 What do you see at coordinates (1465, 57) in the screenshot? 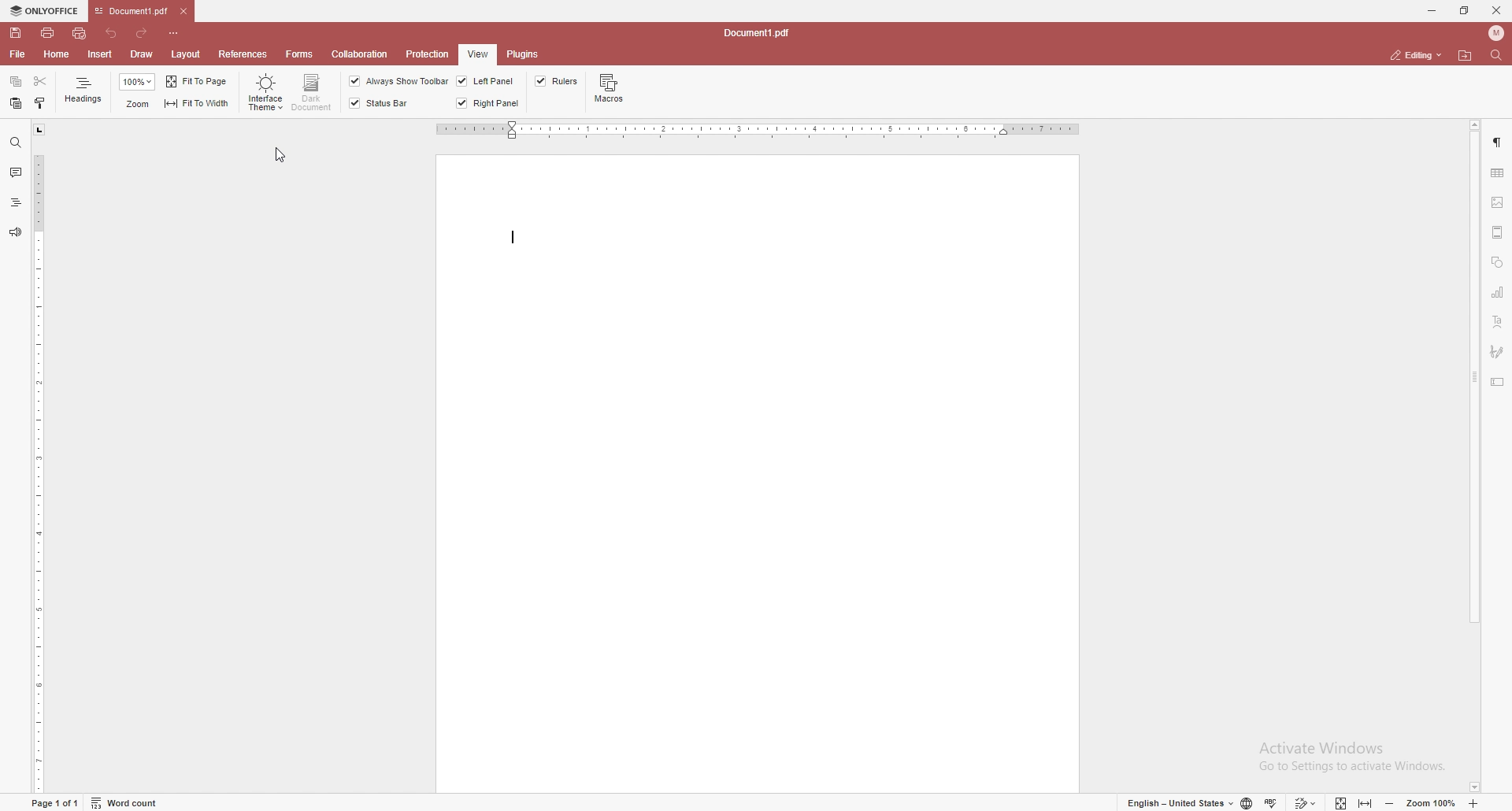
I see `locate file` at bounding box center [1465, 57].